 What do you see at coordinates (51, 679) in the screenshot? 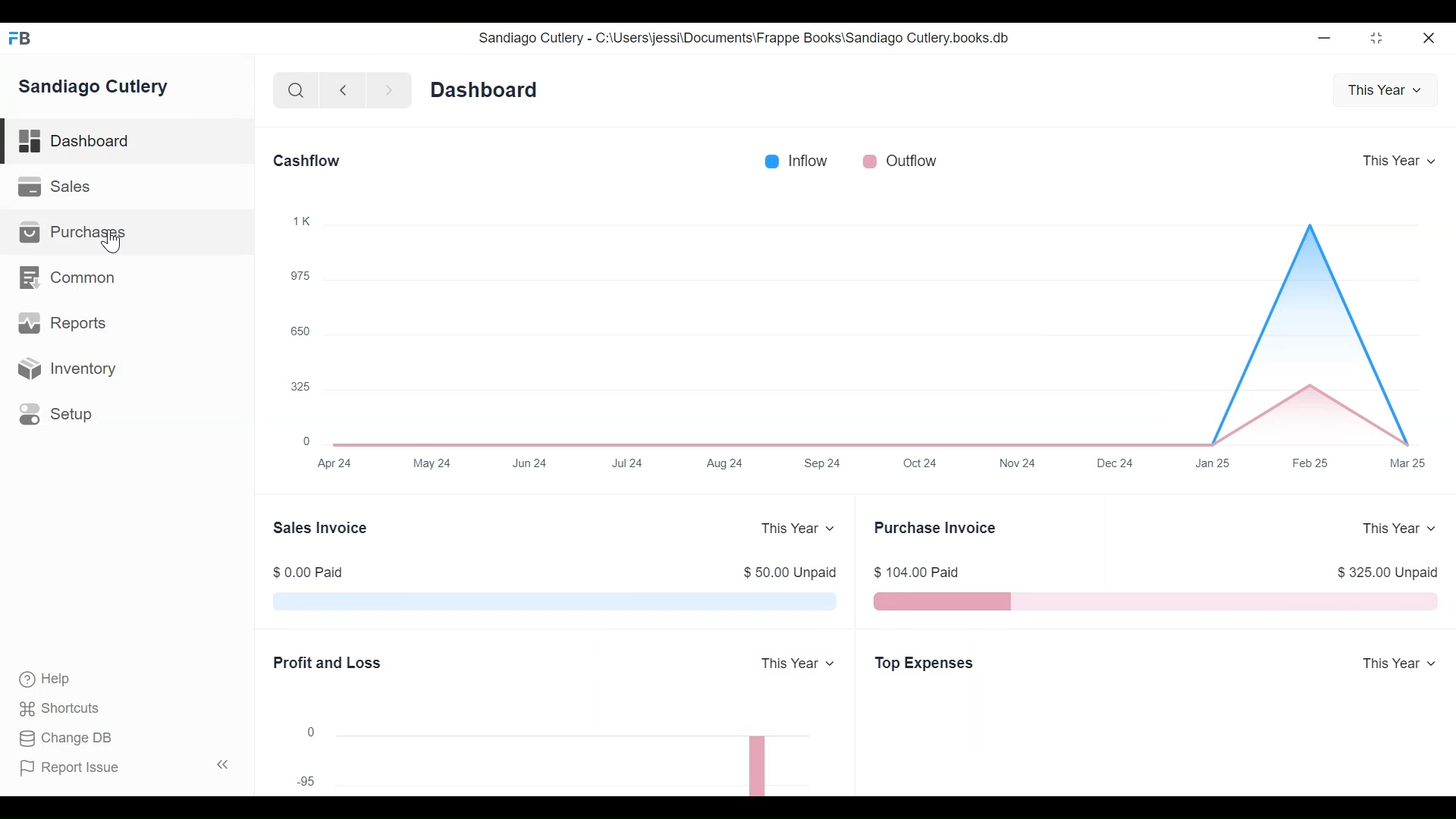
I see ` Help` at bounding box center [51, 679].